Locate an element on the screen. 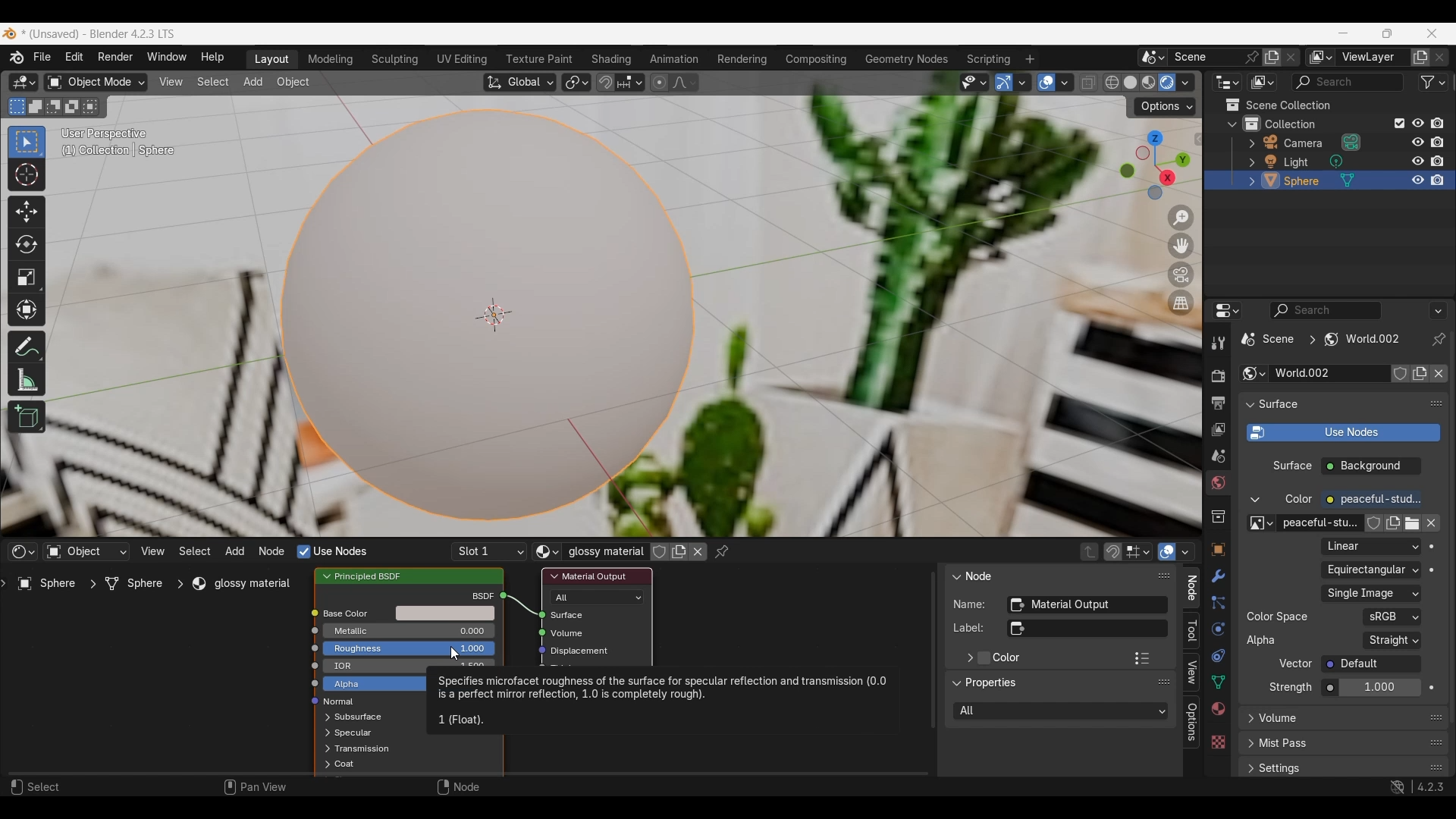 The width and height of the screenshot is (1456, 819). Transform pivot point is located at coordinates (576, 83).